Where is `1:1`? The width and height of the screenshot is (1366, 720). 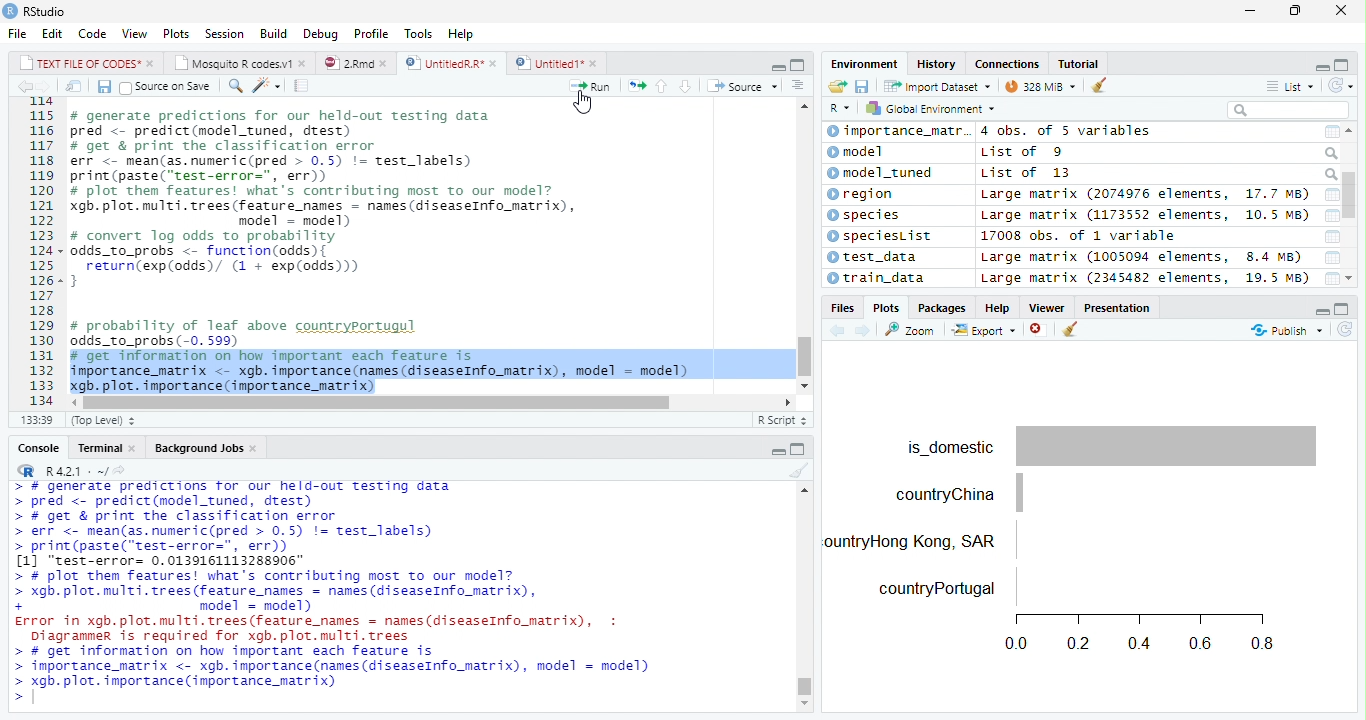
1:1 is located at coordinates (38, 419).